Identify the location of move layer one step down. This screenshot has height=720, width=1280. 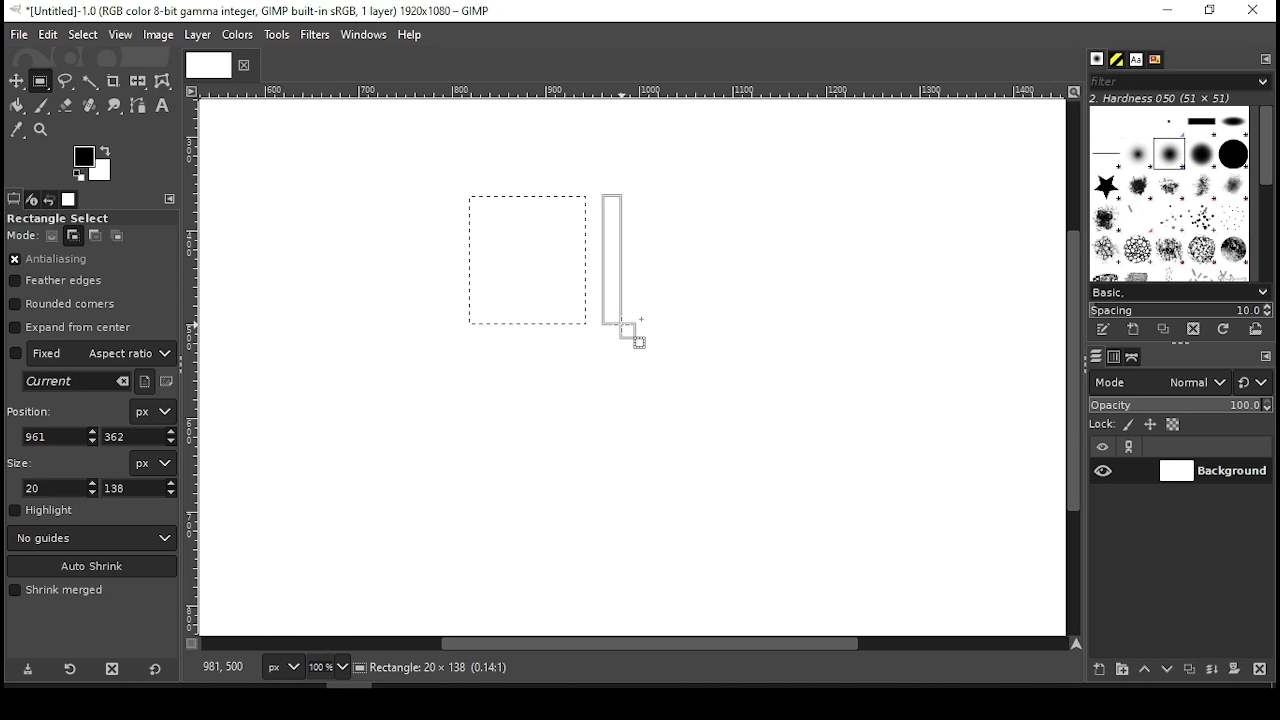
(1168, 671).